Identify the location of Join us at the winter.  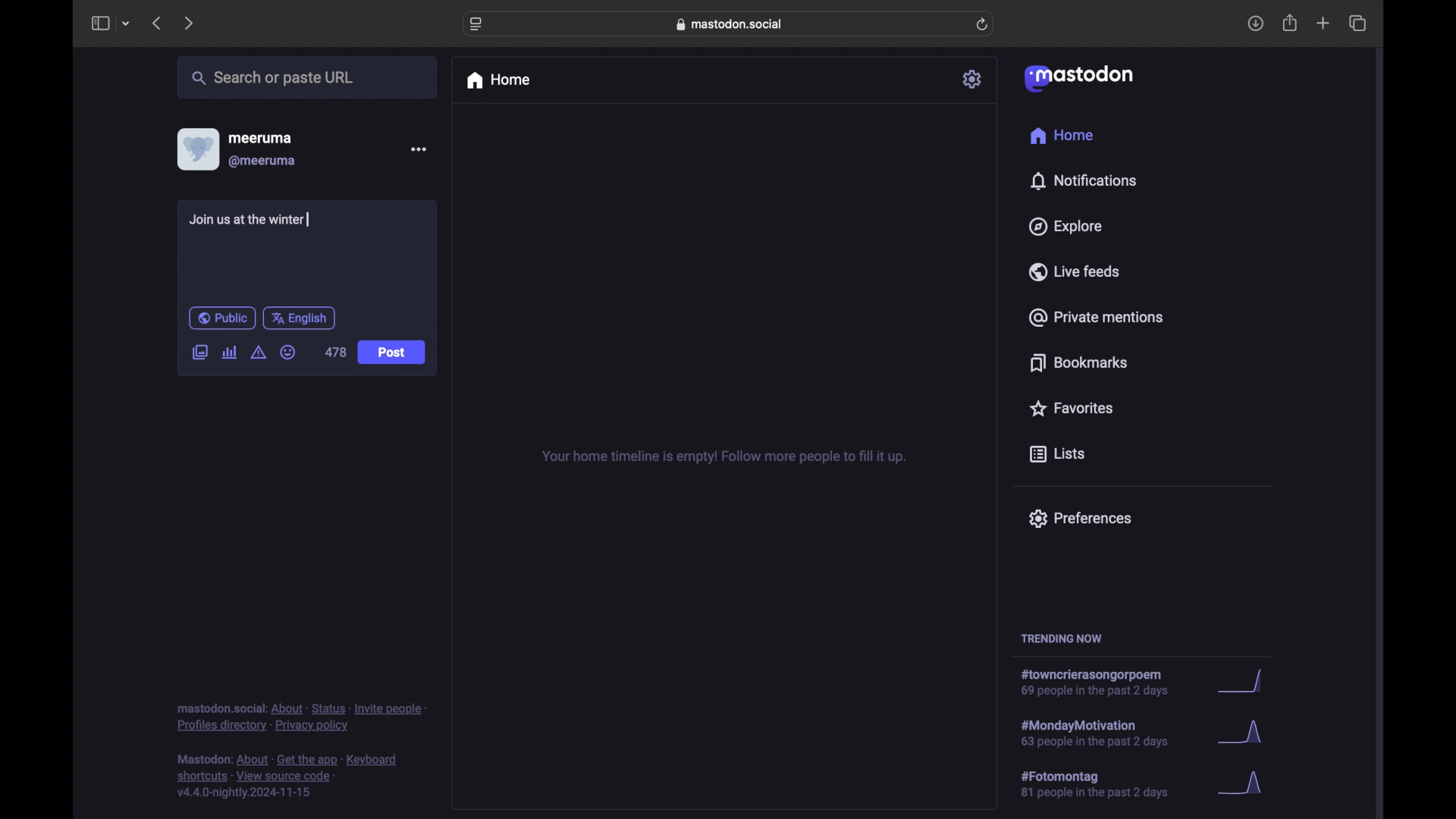
(252, 221).